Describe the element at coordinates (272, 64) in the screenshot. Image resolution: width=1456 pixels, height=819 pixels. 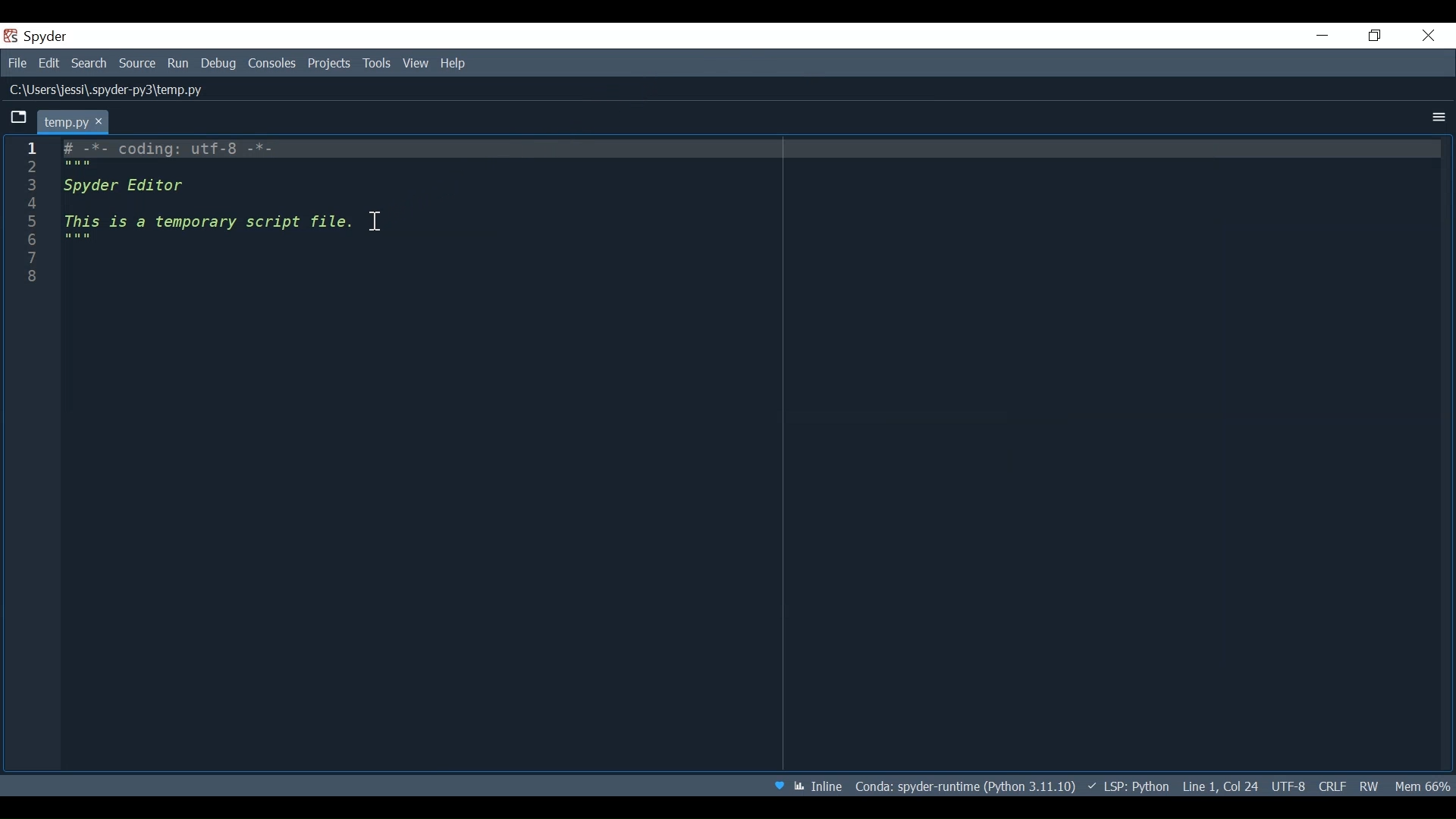
I see `Consoles` at that location.